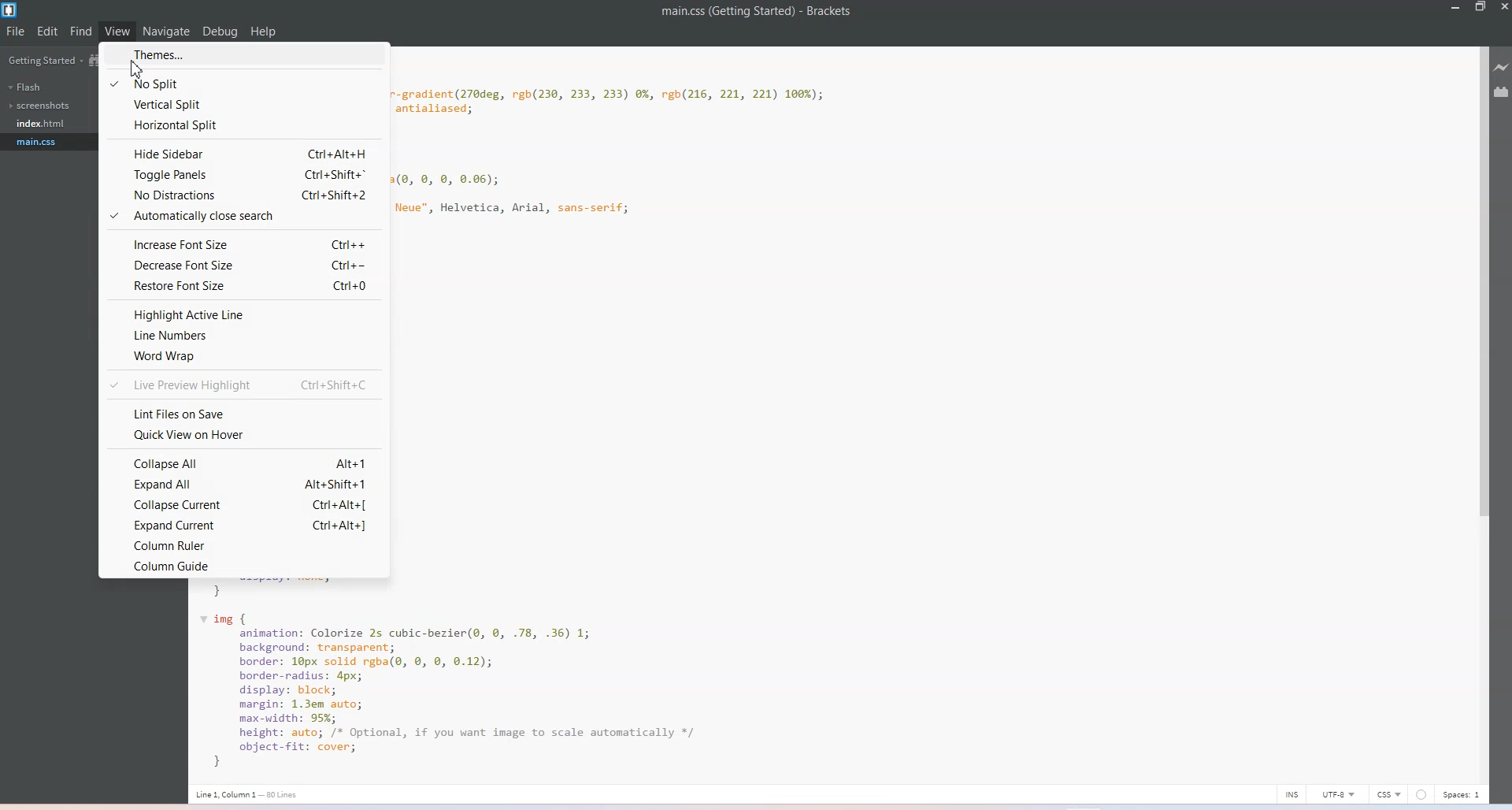 The image size is (1512, 810). What do you see at coordinates (43, 61) in the screenshot?
I see `getting started` at bounding box center [43, 61].